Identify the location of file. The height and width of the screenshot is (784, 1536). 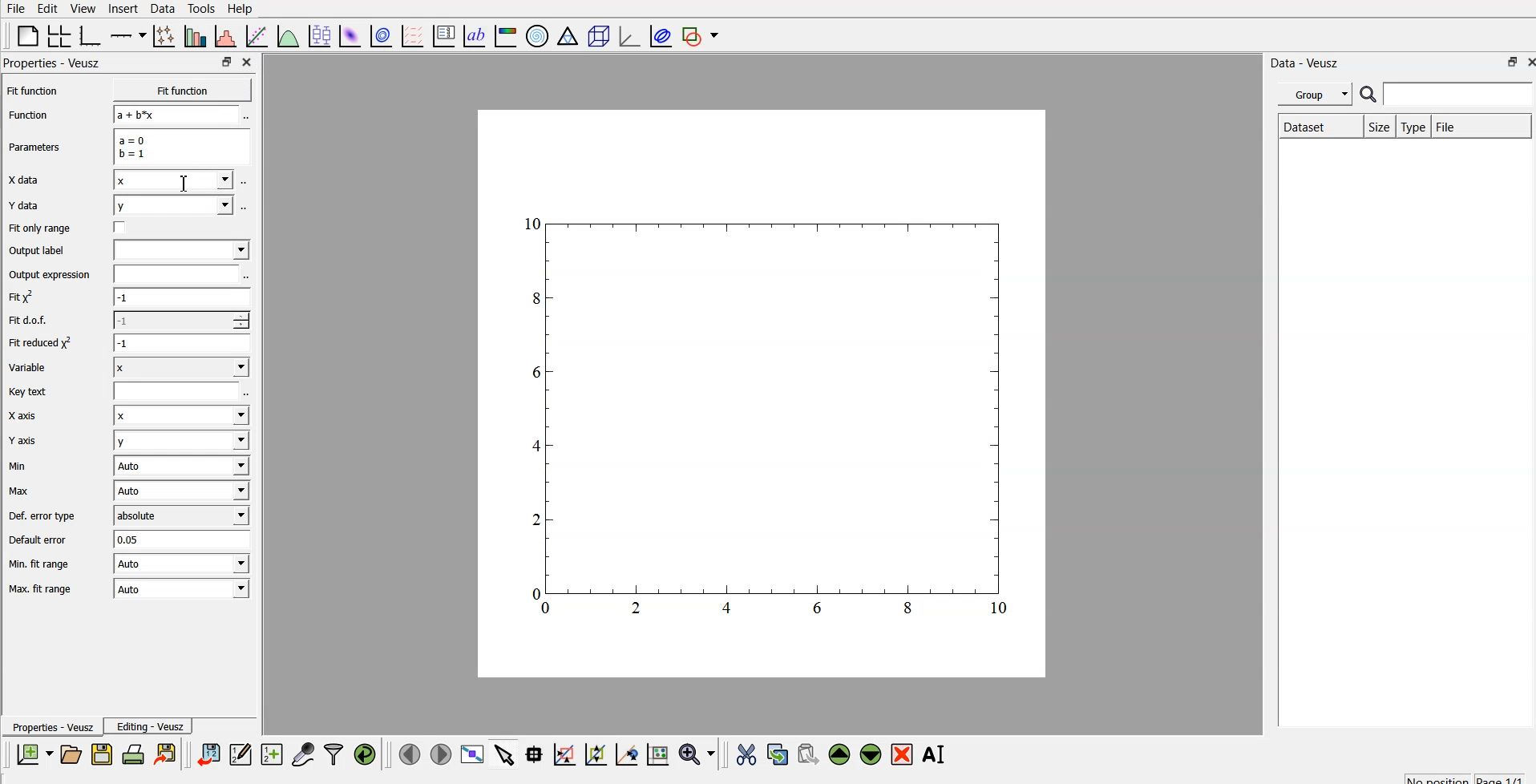
(1478, 126).